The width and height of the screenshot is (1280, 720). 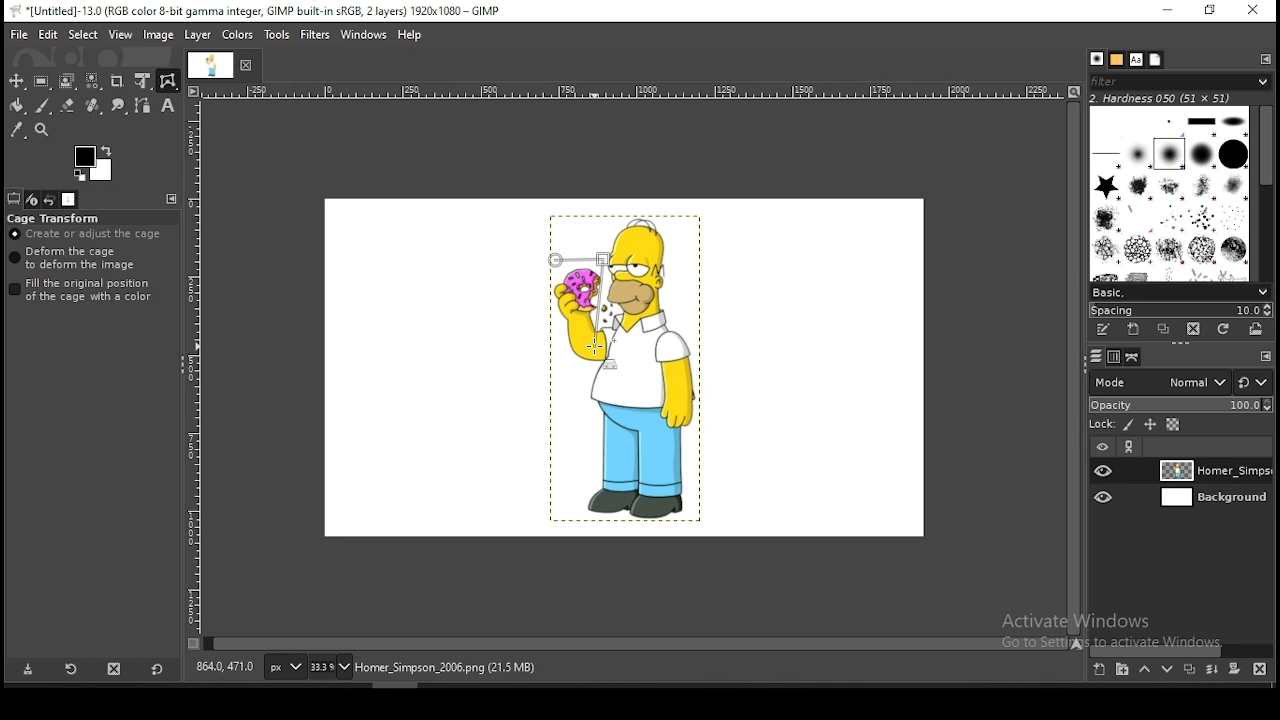 What do you see at coordinates (1135, 59) in the screenshot?
I see `fonts` at bounding box center [1135, 59].